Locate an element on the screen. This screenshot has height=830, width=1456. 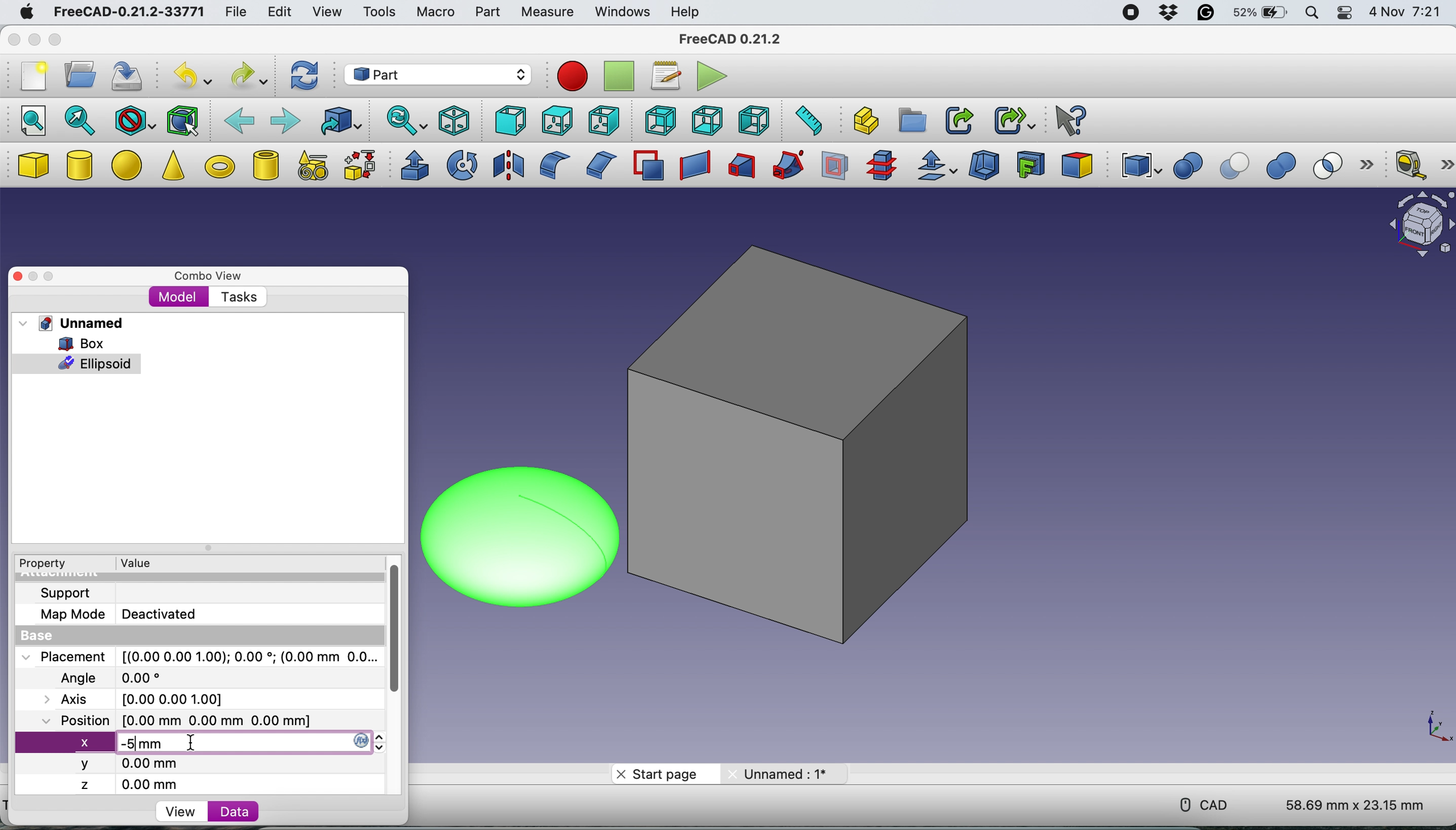
box is located at coordinates (818, 438).